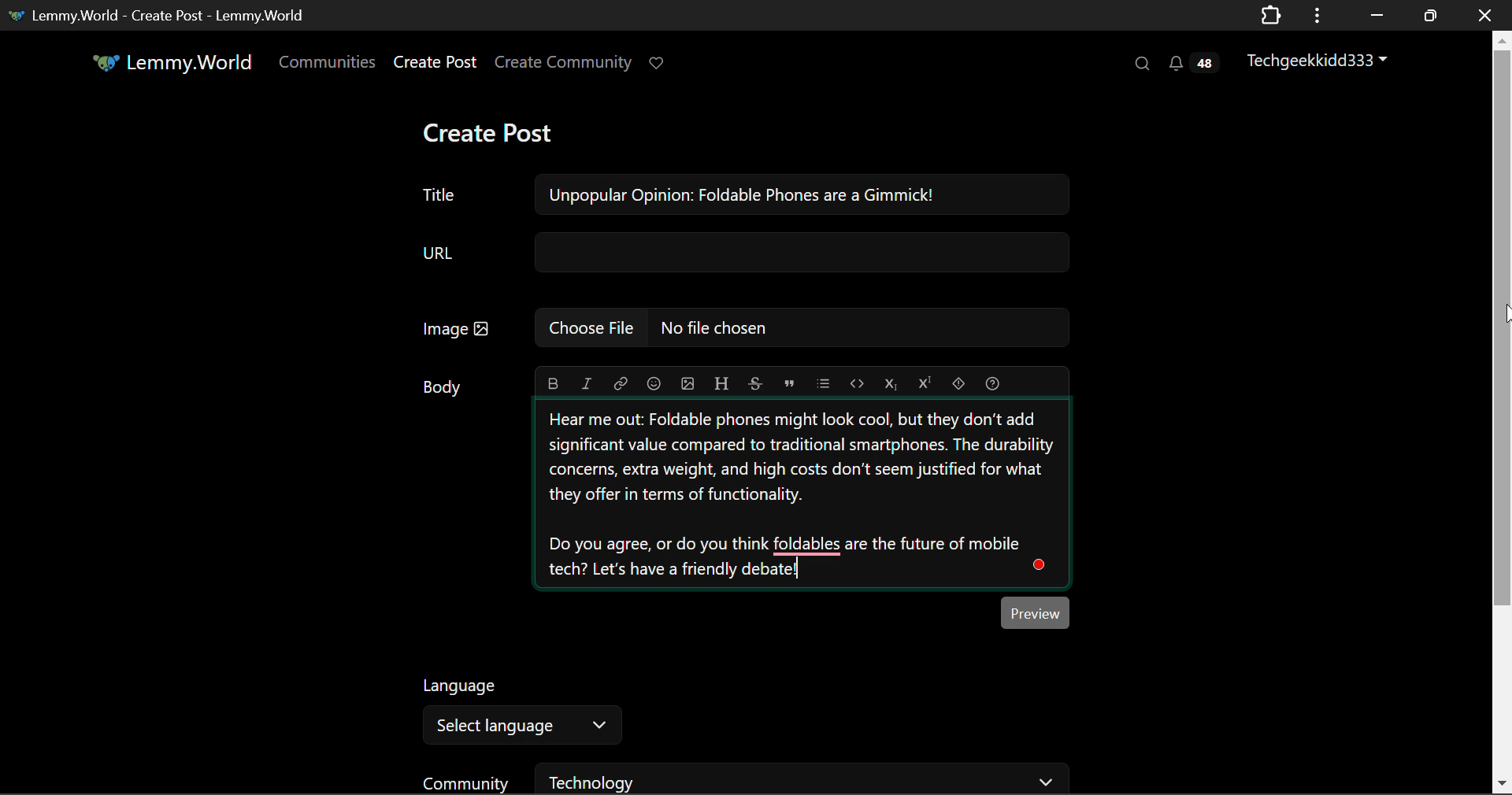 The height and width of the screenshot is (795, 1512). What do you see at coordinates (756, 383) in the screenshot?
I see `strikethrough` at bounding box center [756, 383].